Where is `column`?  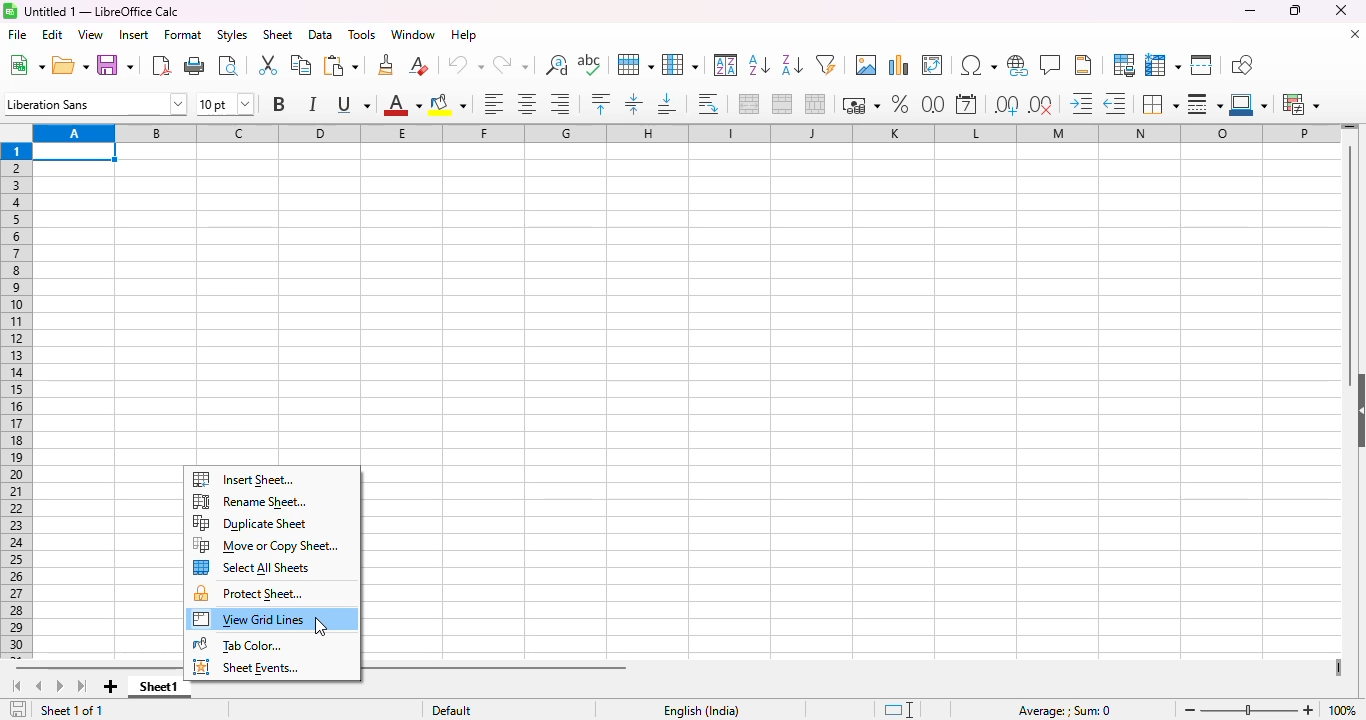
column is located at coordinates (680, 63).